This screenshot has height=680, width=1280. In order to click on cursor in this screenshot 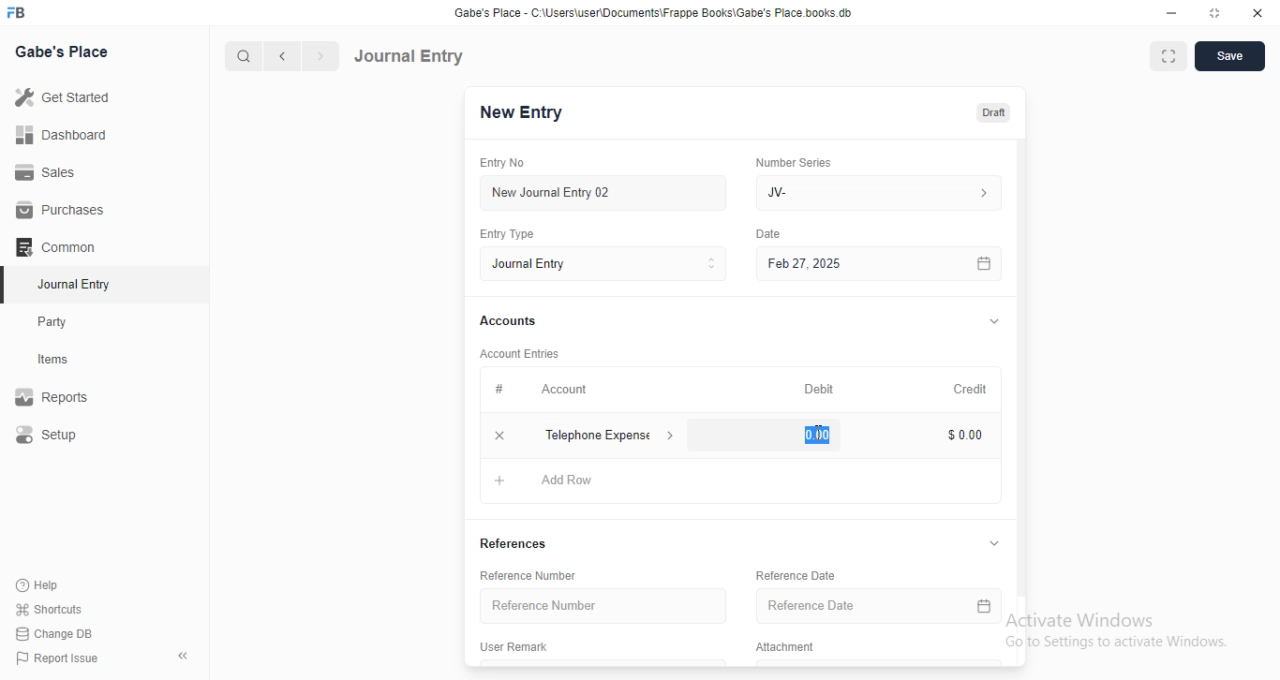, I will do `click(812, 429)`.